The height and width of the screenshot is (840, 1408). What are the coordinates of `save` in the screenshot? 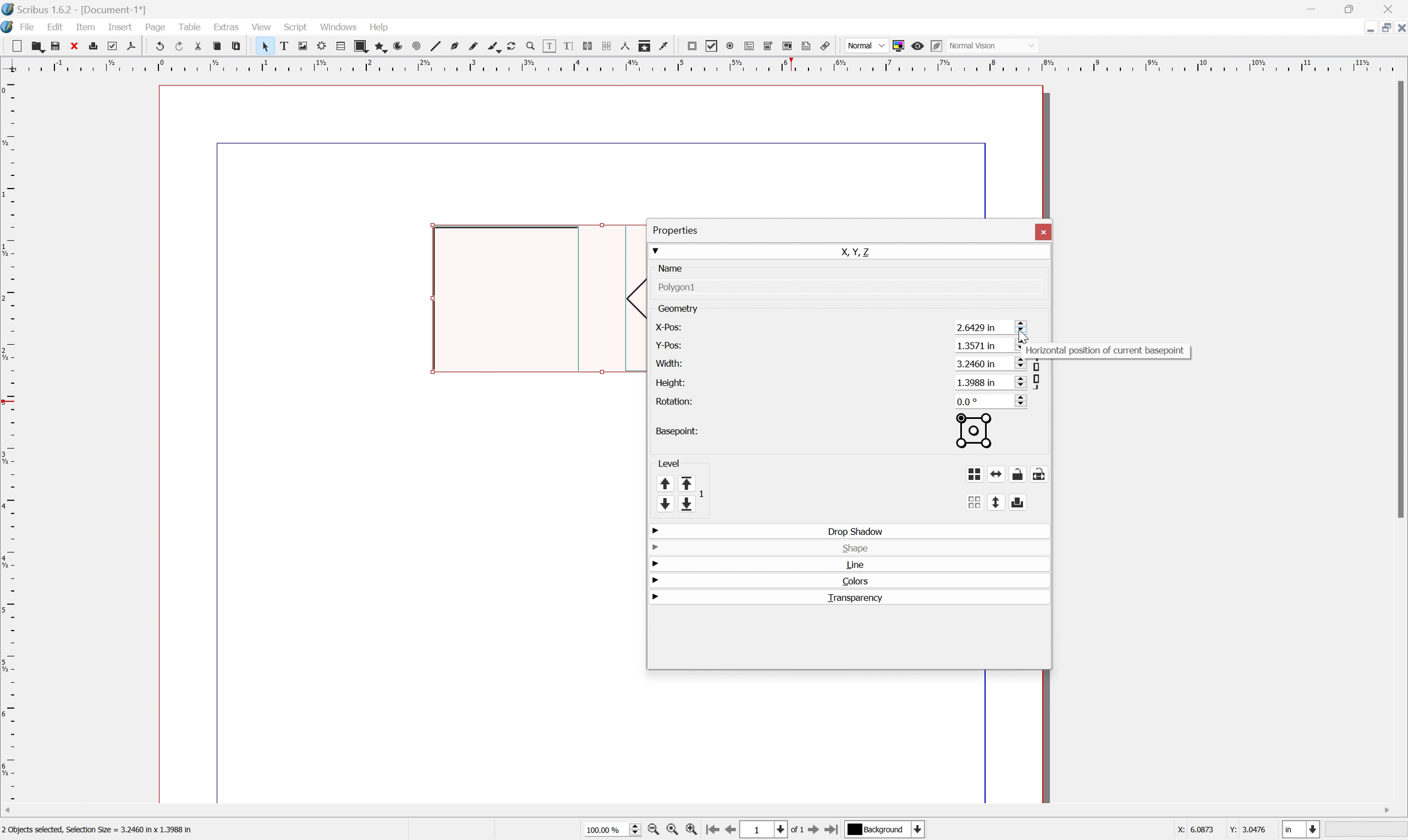 It's located at (52, 44).